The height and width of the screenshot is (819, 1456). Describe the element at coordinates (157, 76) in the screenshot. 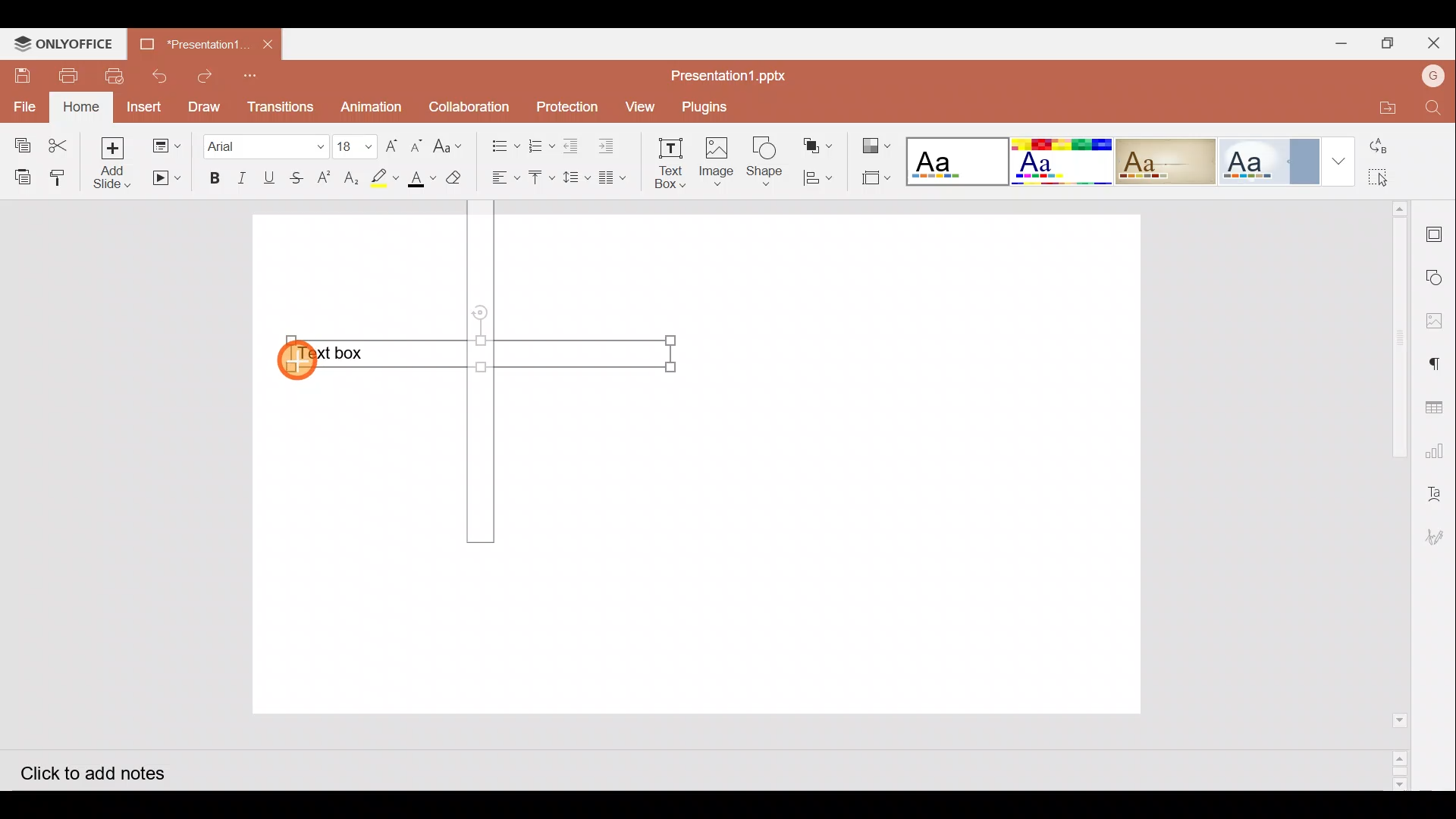

I see `Undo` at that location.